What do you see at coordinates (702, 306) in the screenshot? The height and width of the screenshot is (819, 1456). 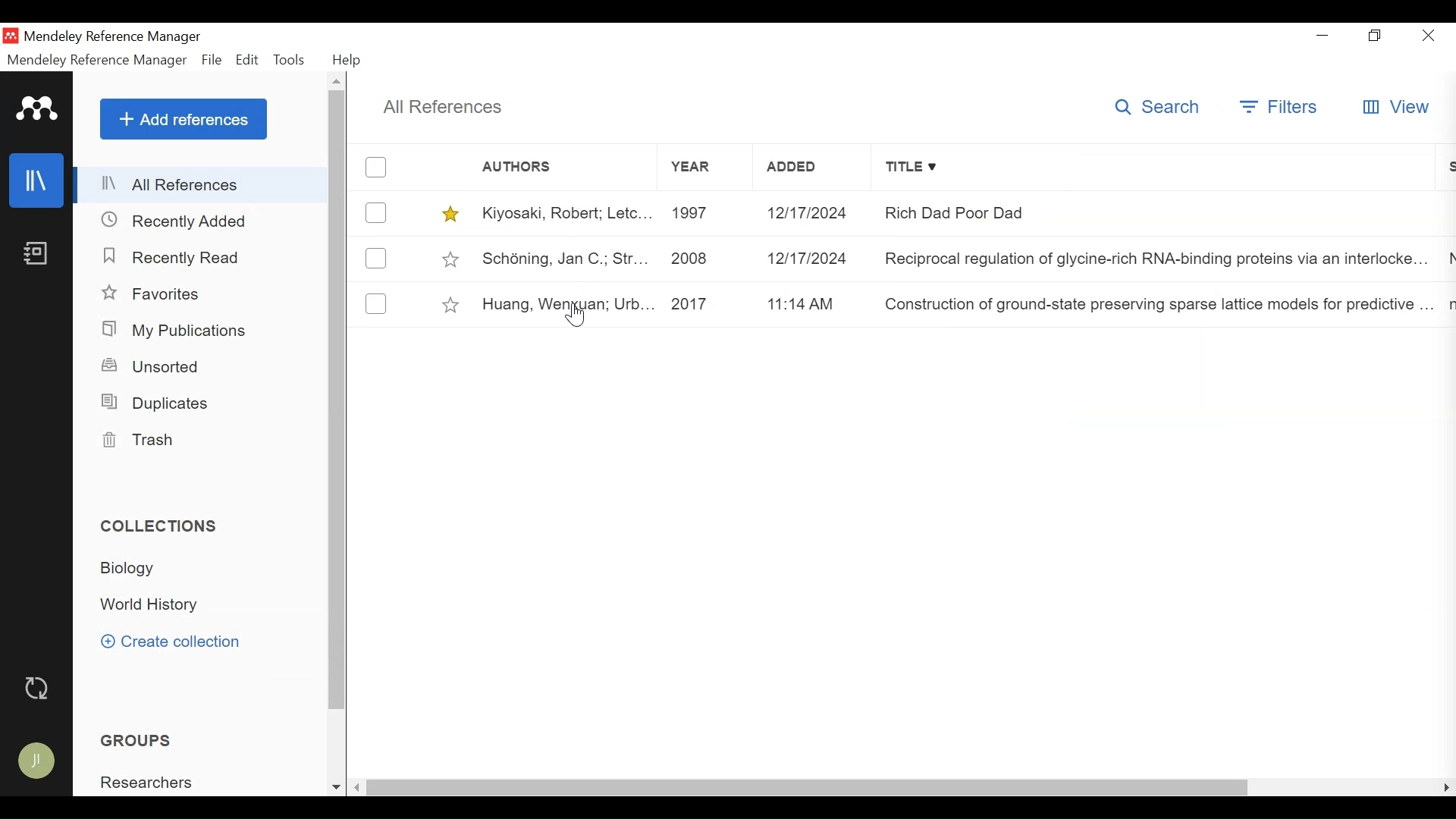 I see `2017` at bounding box center [702, 306].